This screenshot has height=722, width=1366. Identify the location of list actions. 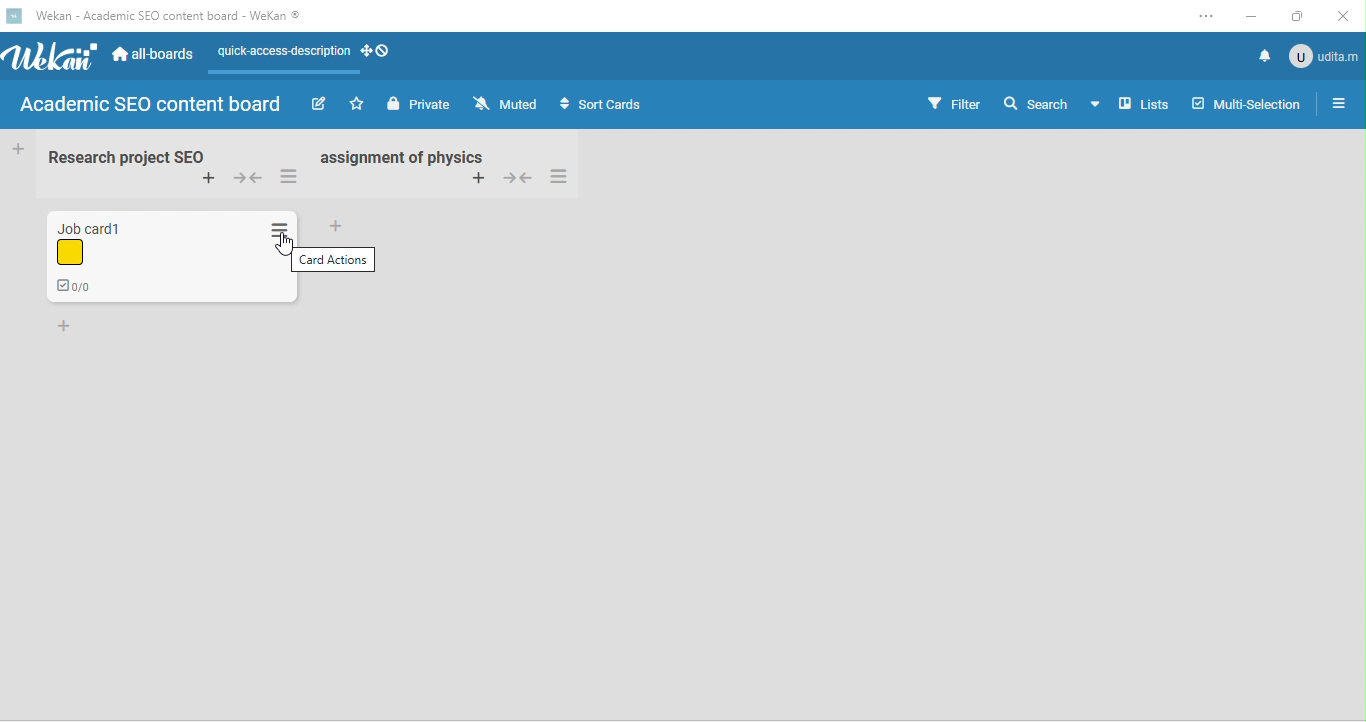
(570, 178).